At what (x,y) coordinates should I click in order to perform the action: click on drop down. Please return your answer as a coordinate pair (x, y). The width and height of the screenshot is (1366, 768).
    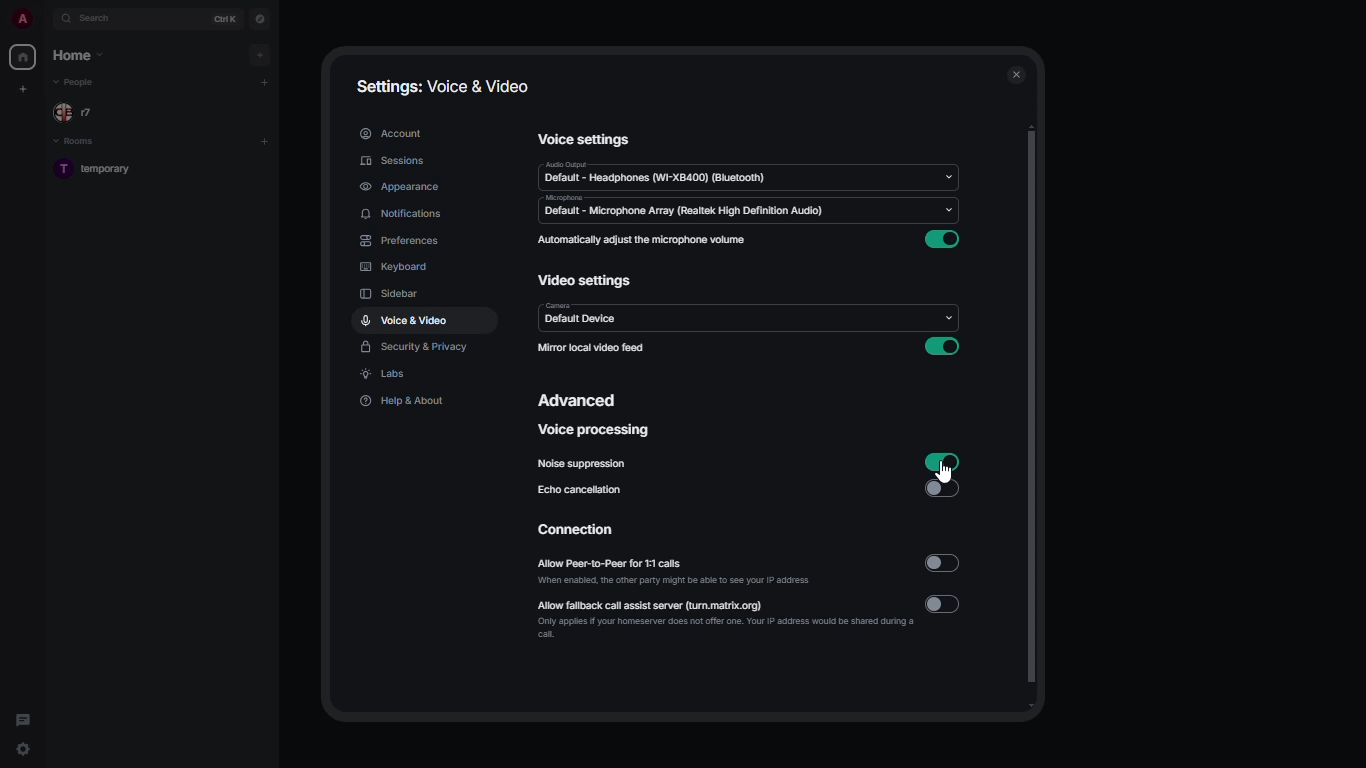
    Looking at the image, I should click on (943, 315).